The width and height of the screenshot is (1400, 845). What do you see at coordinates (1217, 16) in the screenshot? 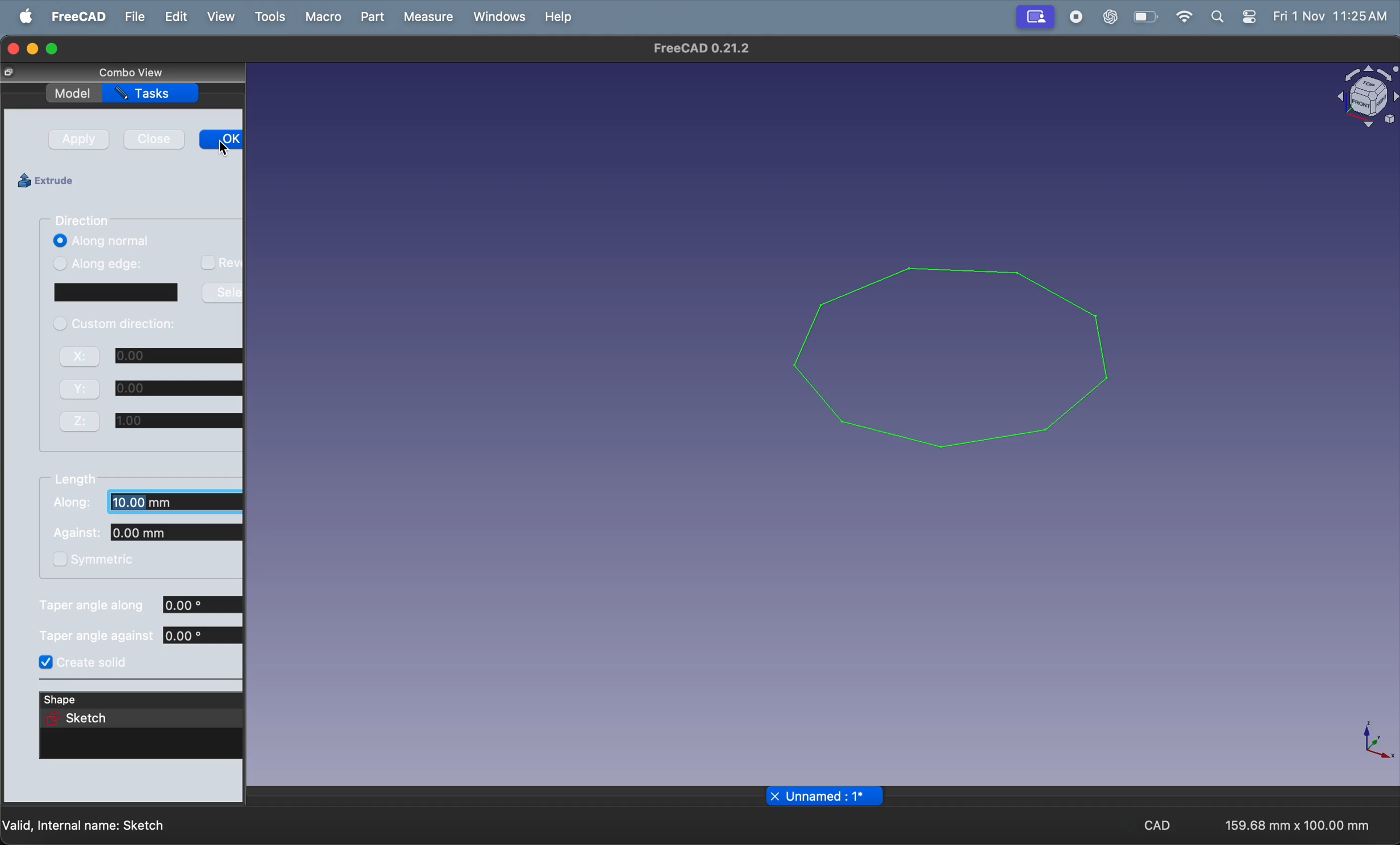
I see `search` at bounding box center [1217, 16].